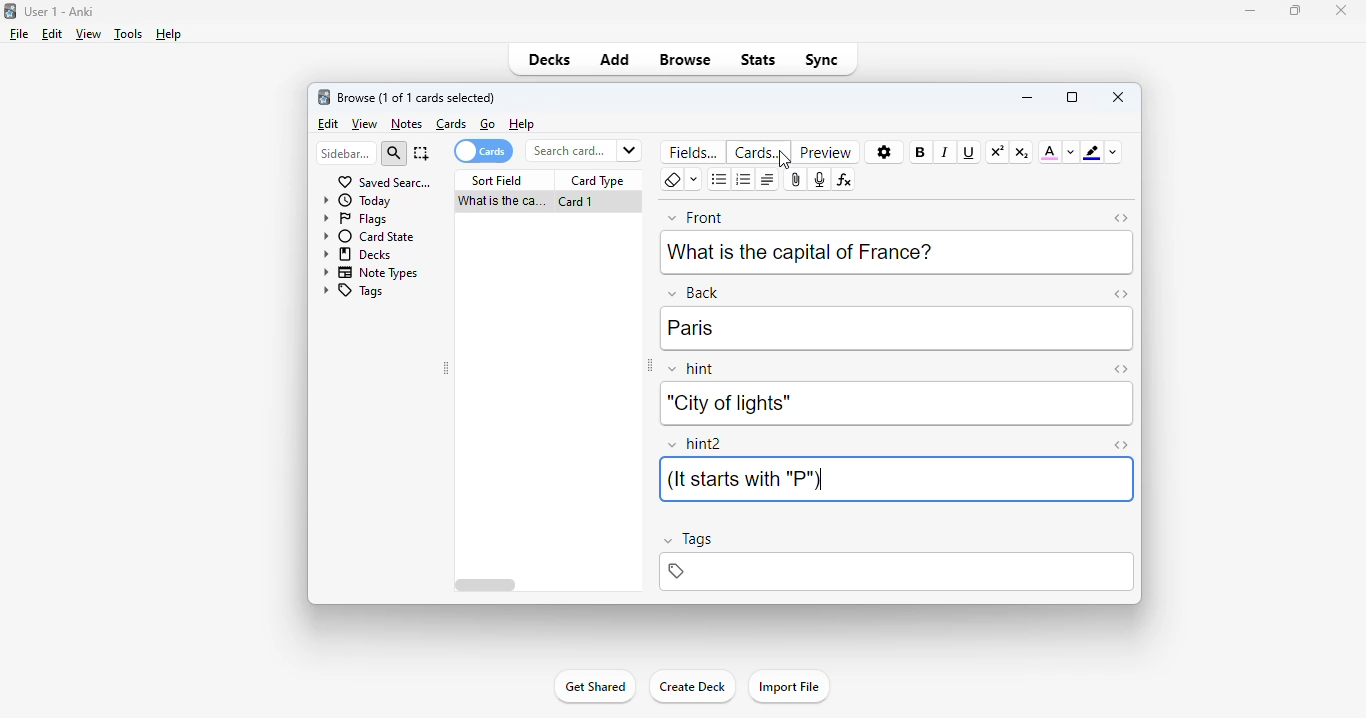 This screenshot has height=718, width=1366. I want to click on title, so click(60, 11).